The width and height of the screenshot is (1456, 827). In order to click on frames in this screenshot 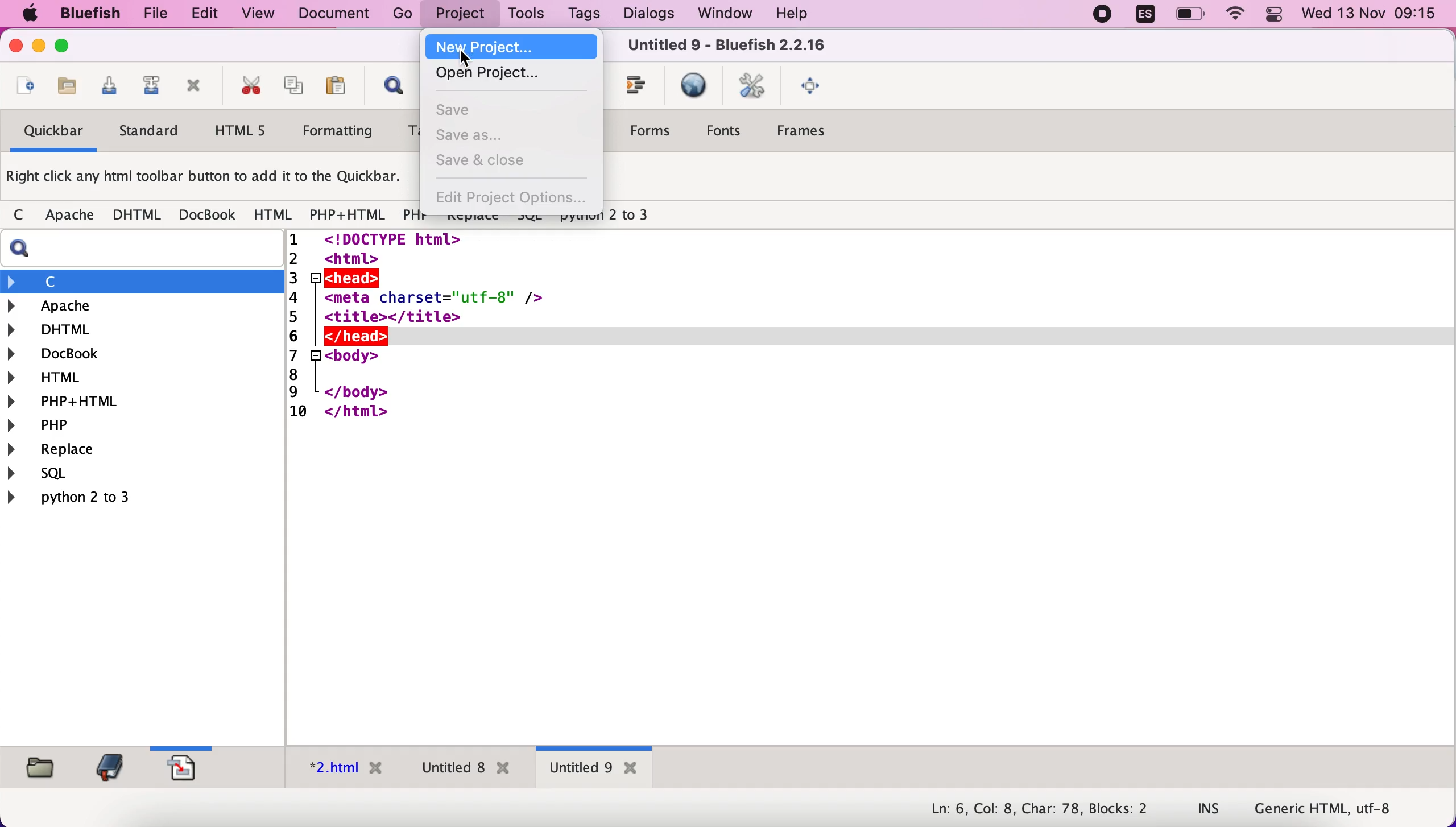, I will do `click(813, 134)`.